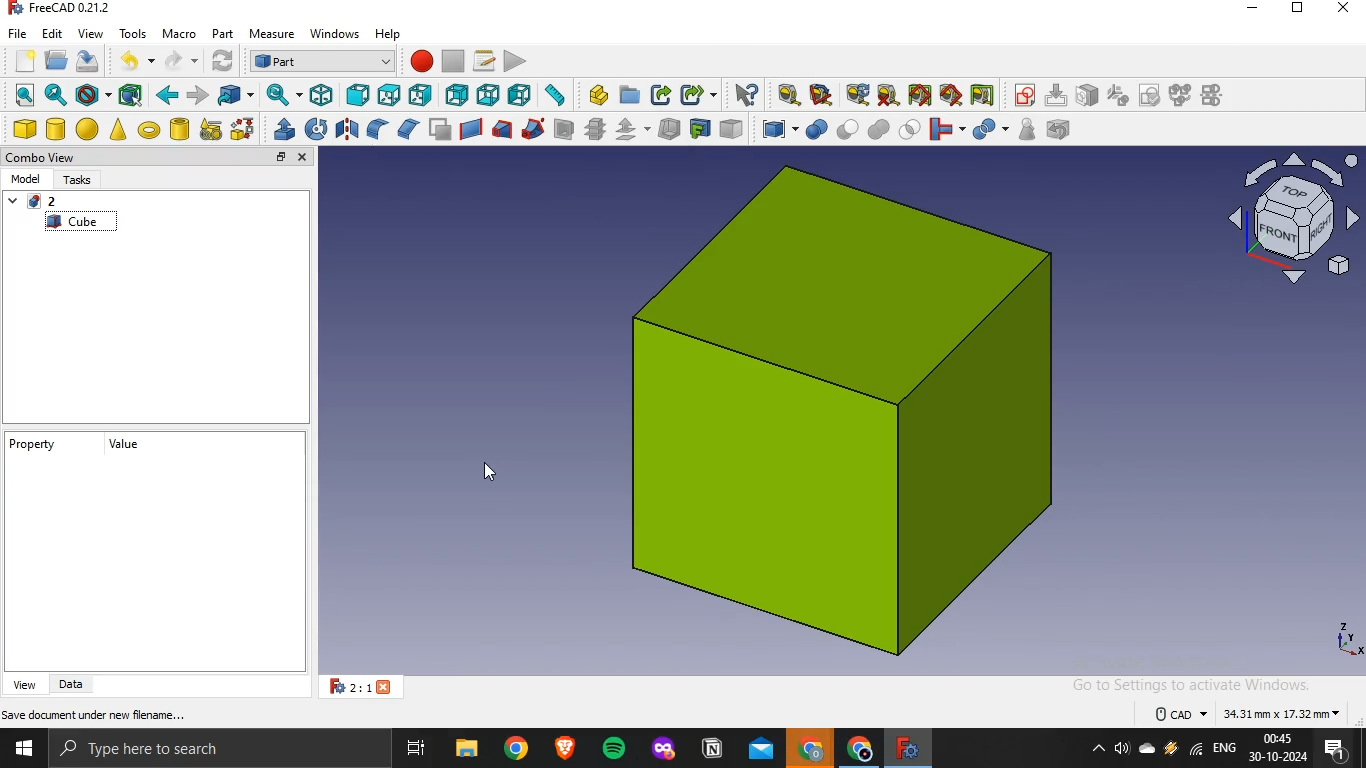 This screenshot has height=768, width=1366. I want to click on front, so click(356, 94).